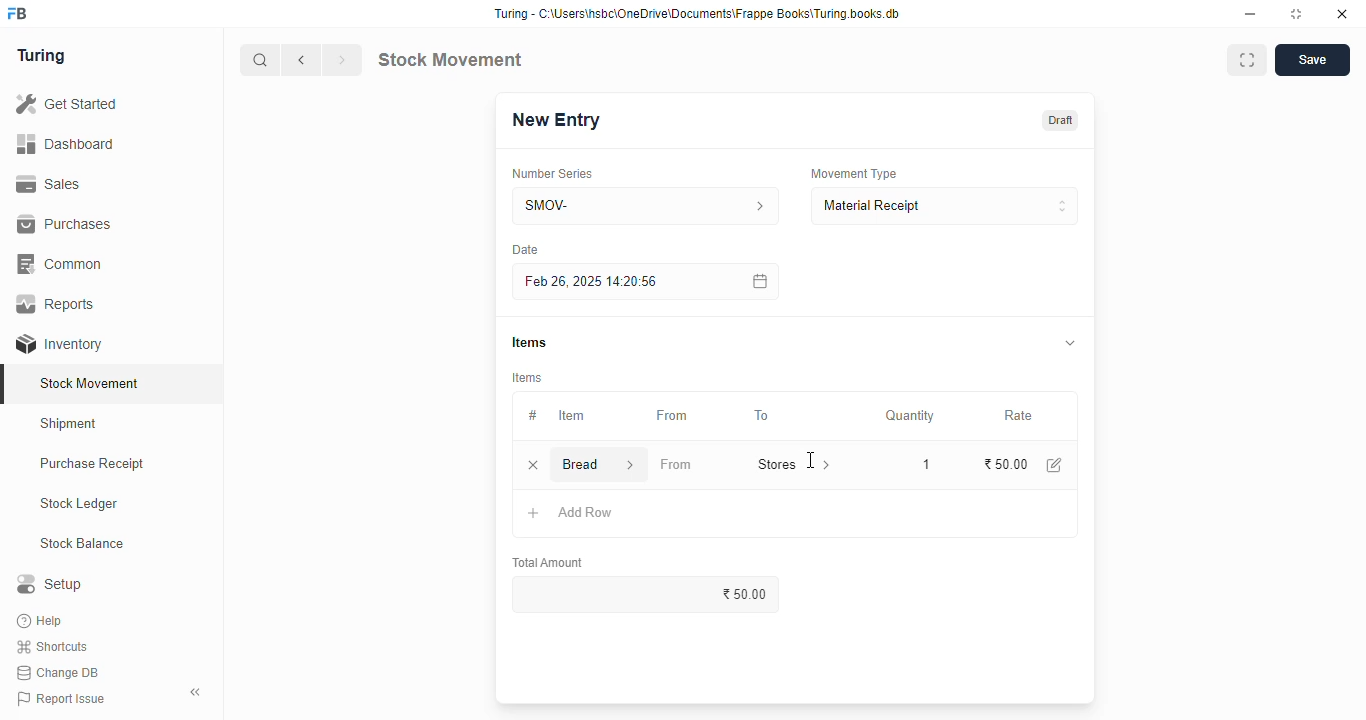 The height and width of the screenshot is (720, 1366). What do you see at coordinates (528, 378) in the screenshot?
I see `items` at bounding box center [528, 378].